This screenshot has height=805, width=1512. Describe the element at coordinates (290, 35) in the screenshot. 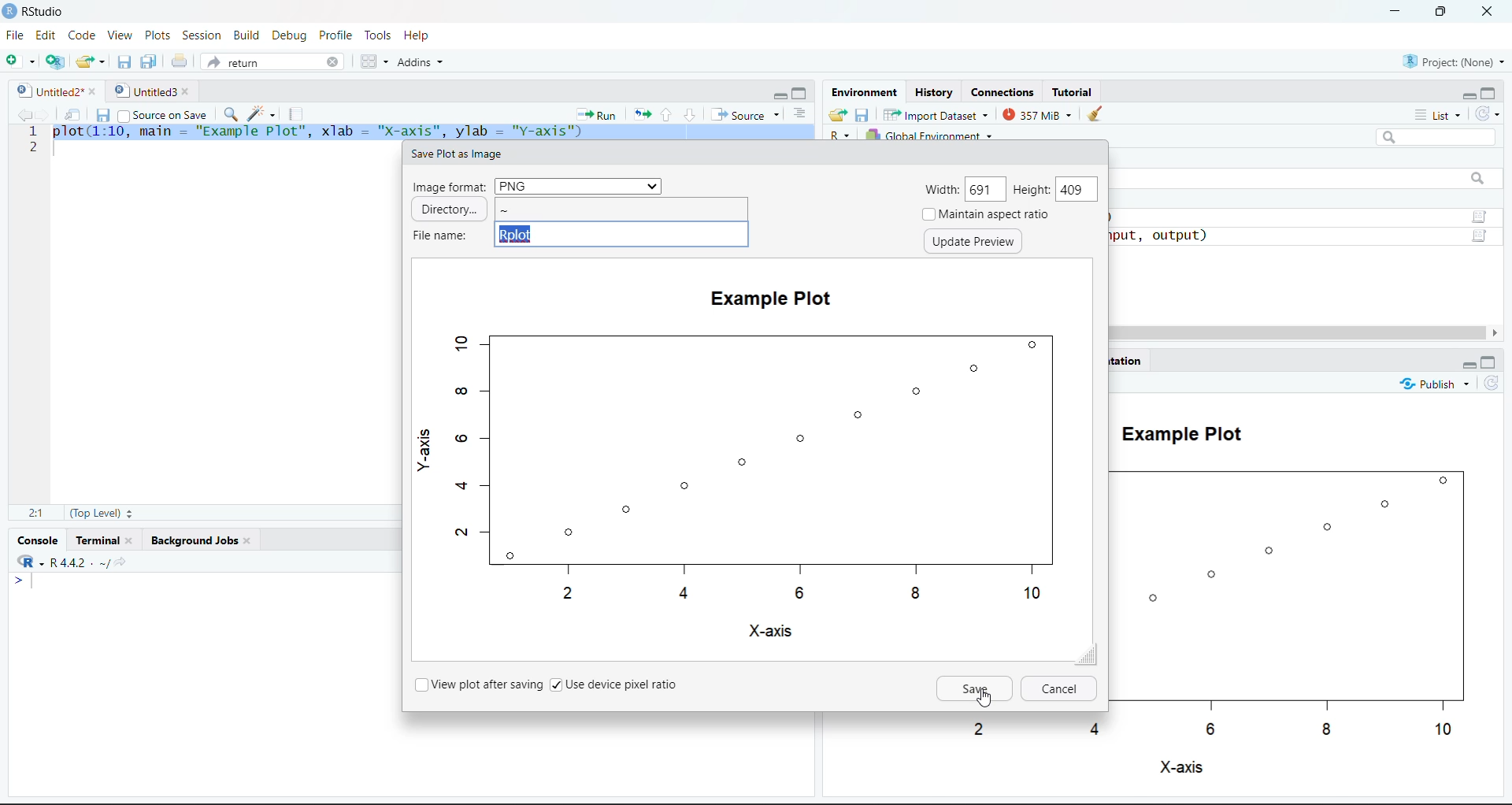

I see `Debug` at that location.